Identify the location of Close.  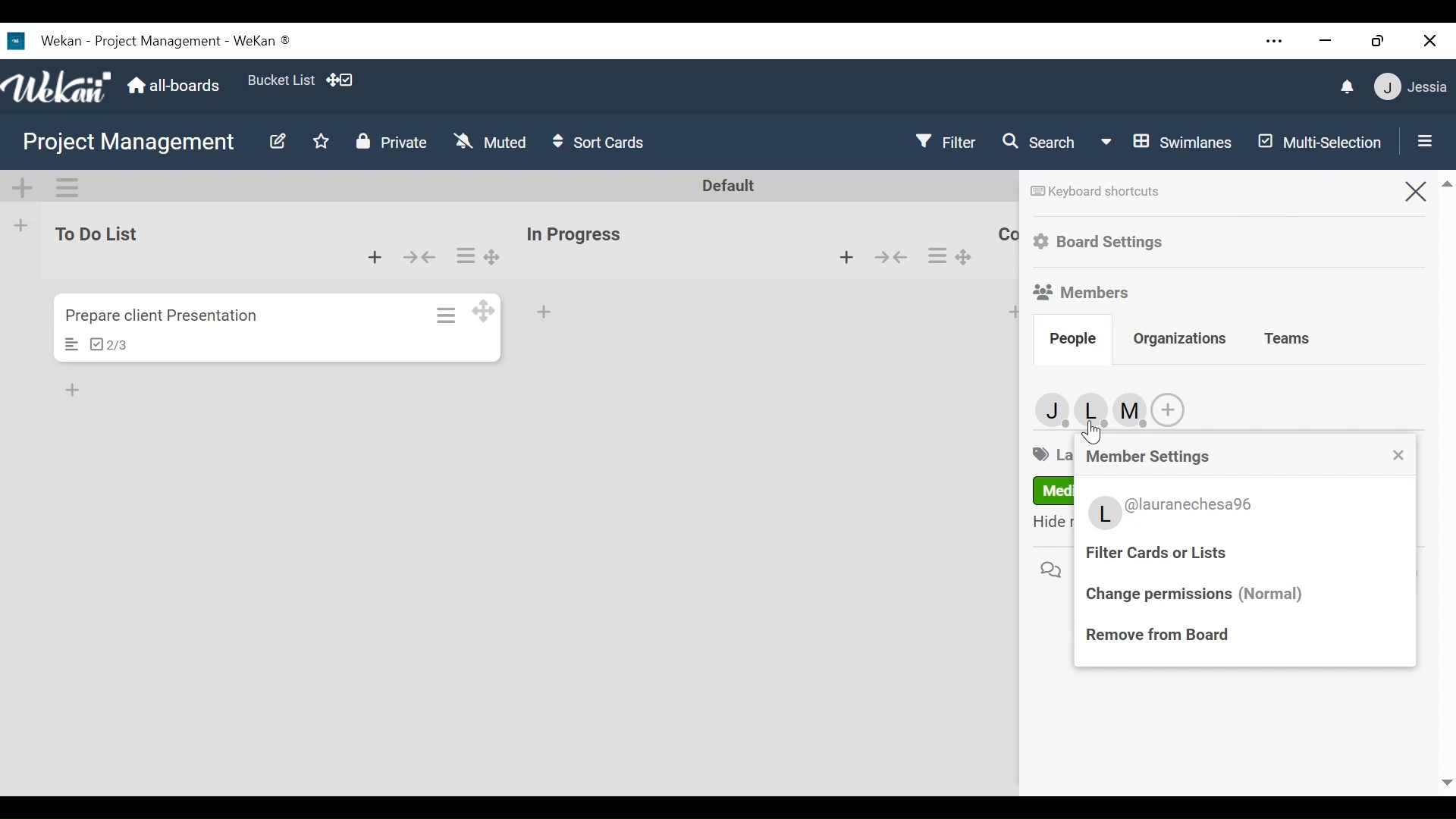
(1414, 190).